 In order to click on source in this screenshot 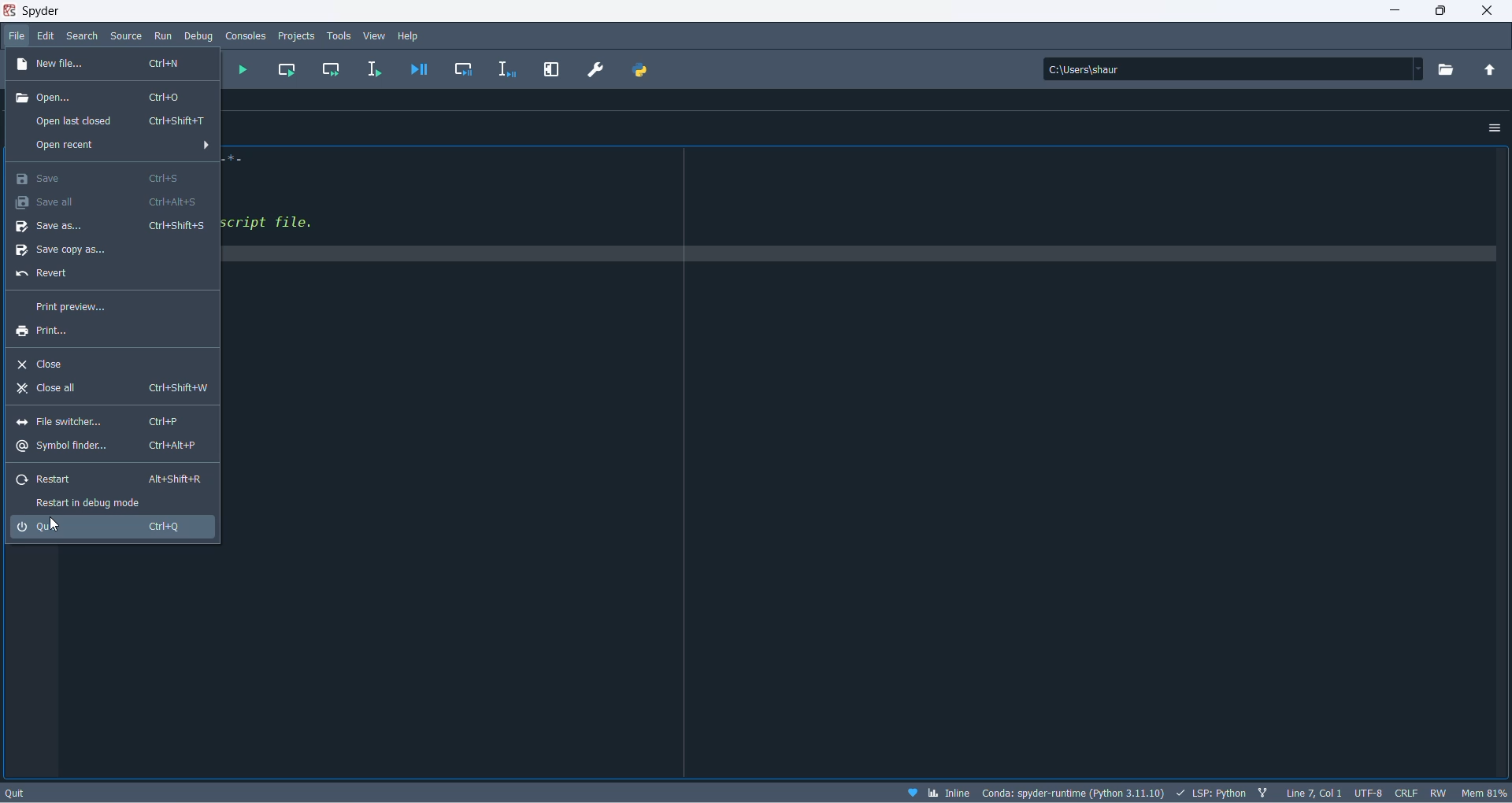, I will do `click(128, 37)`.